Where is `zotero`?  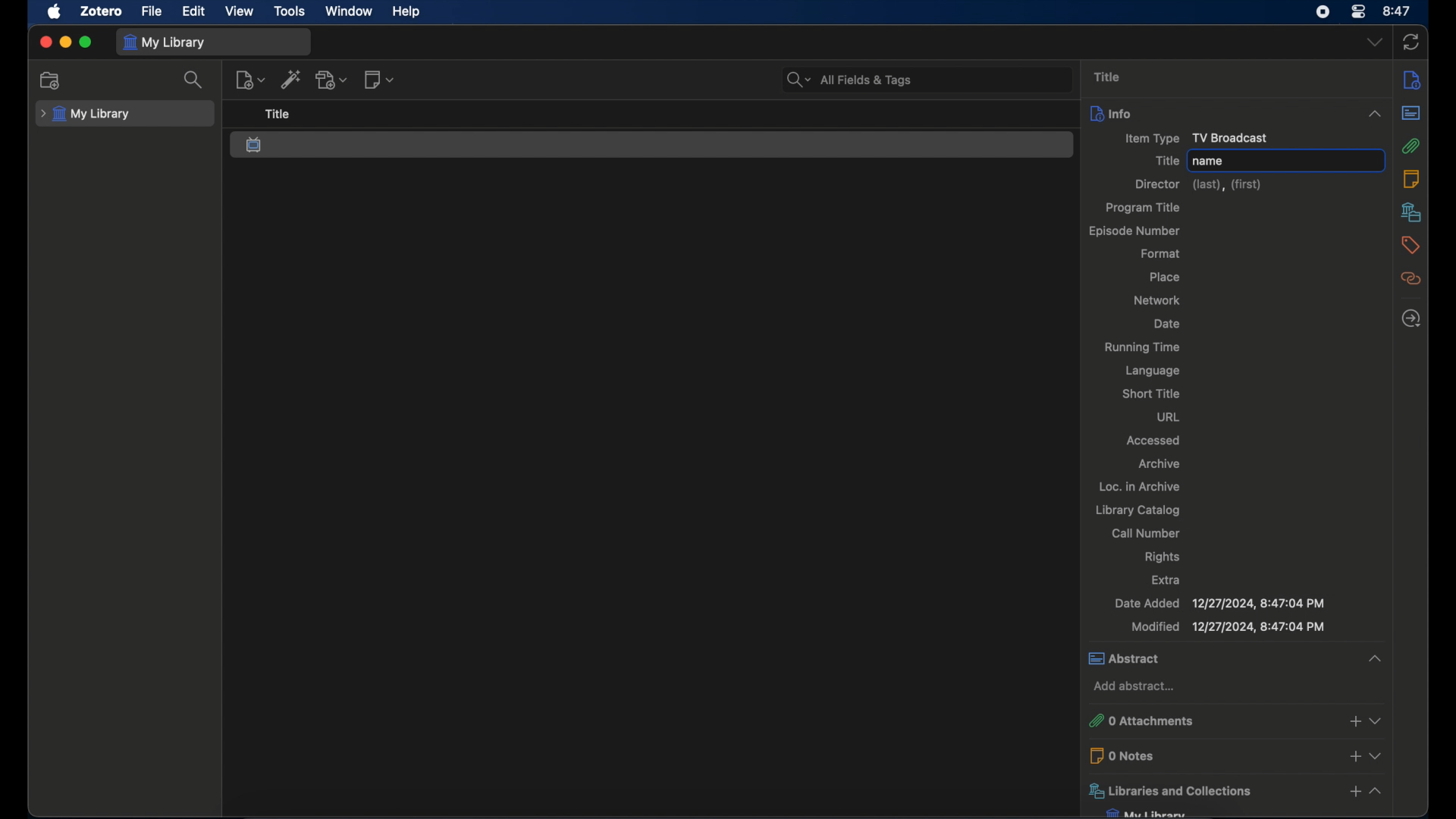
zotero is located at coordinates (102, 11).